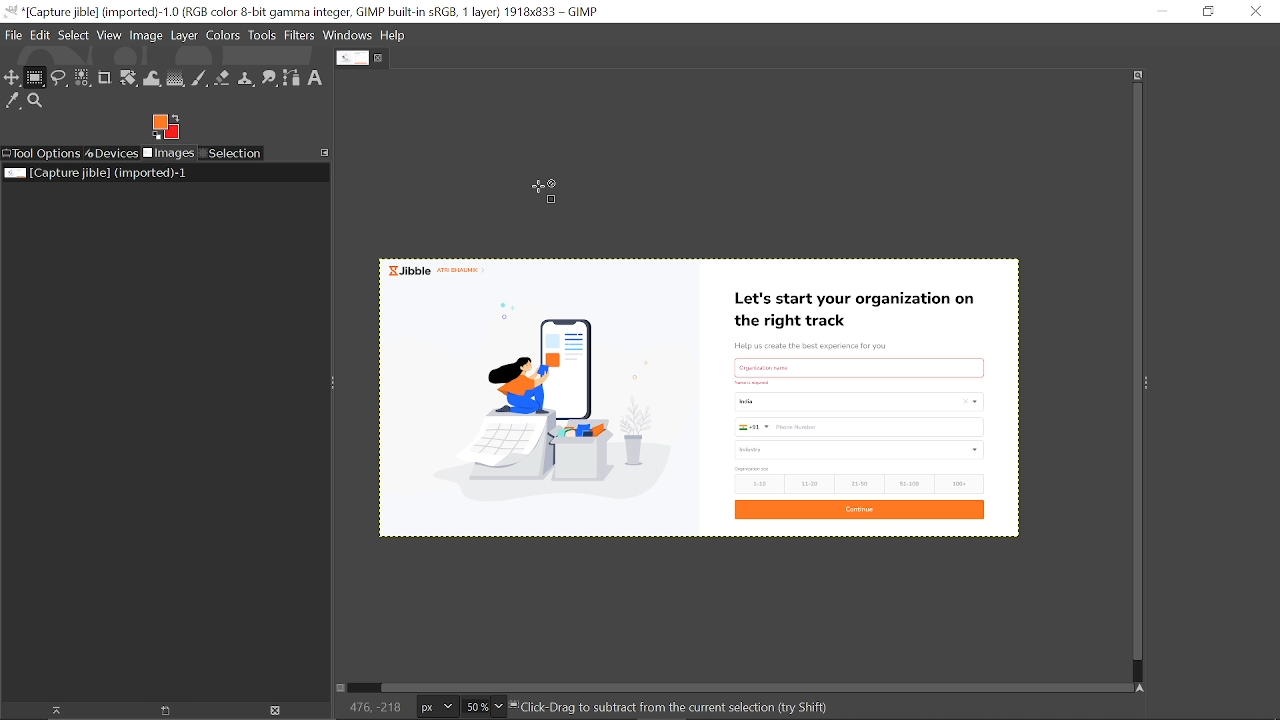 This screenshot has width=1280, height=720. Describe the element at coordinates (1139, 687) in the screenshot. I see `Navigate this window` at that location.